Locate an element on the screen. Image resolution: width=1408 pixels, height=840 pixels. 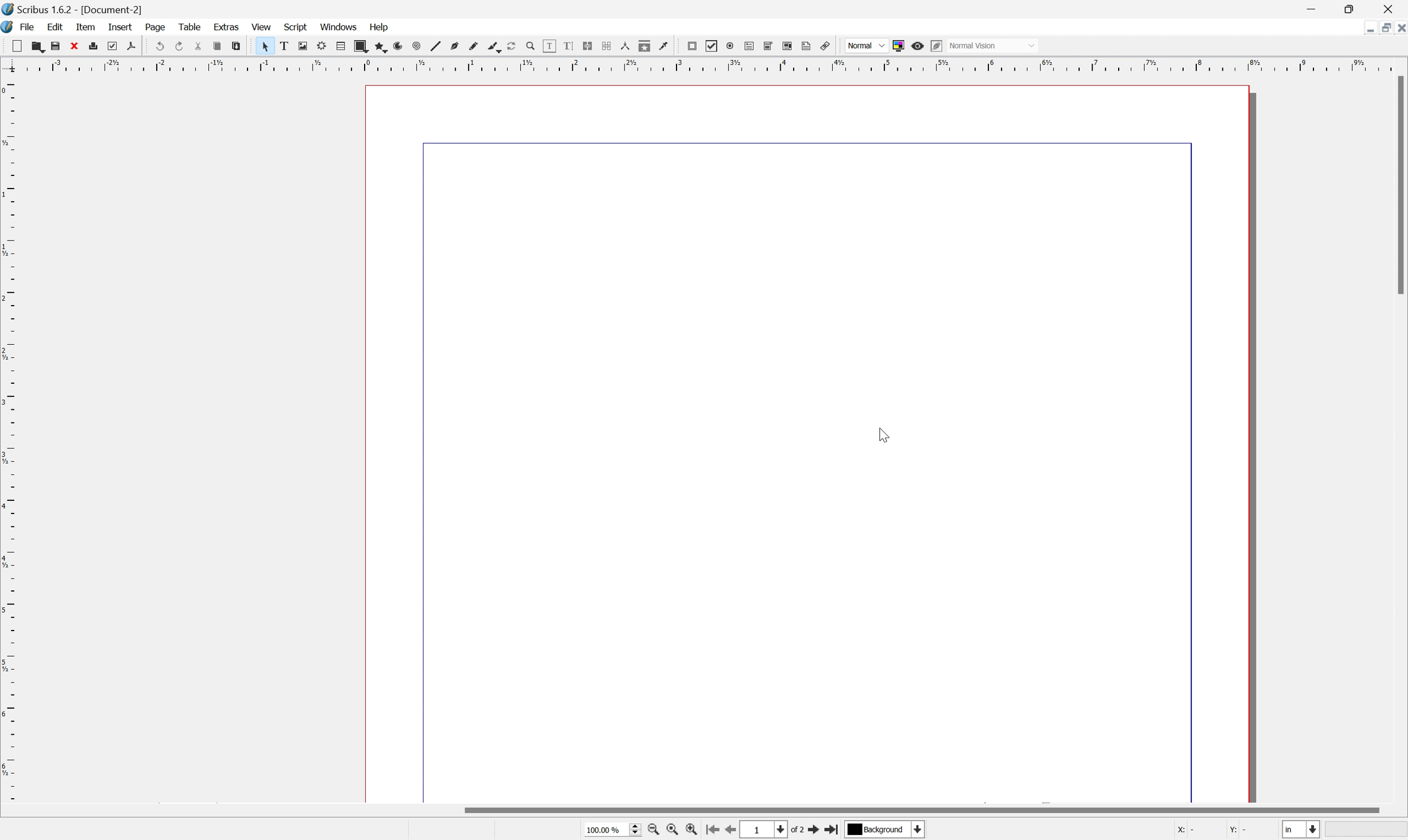
go to first page is located at coordinates (714, 831).